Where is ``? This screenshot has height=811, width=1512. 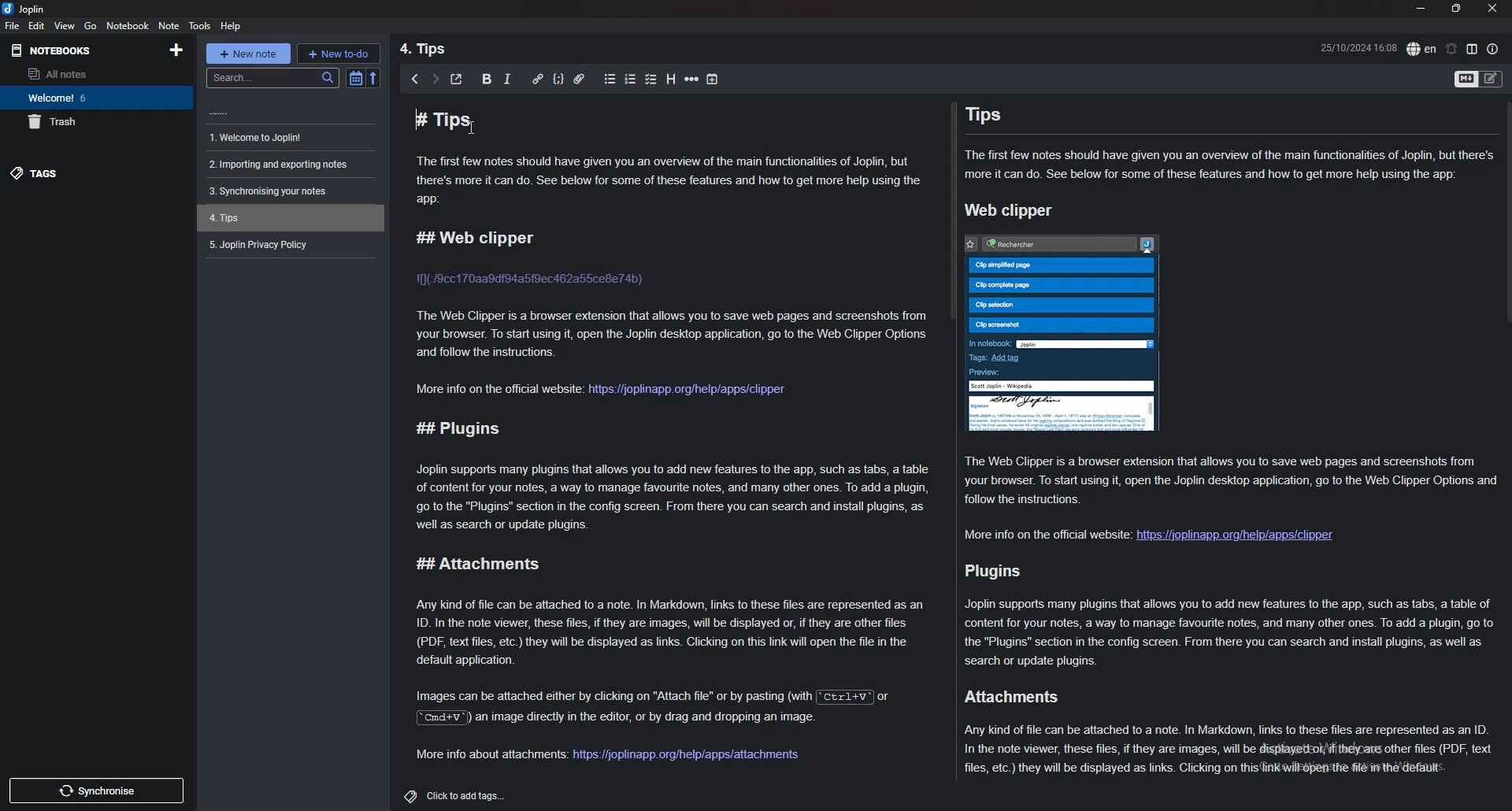  is located at coordinates (69, 75).